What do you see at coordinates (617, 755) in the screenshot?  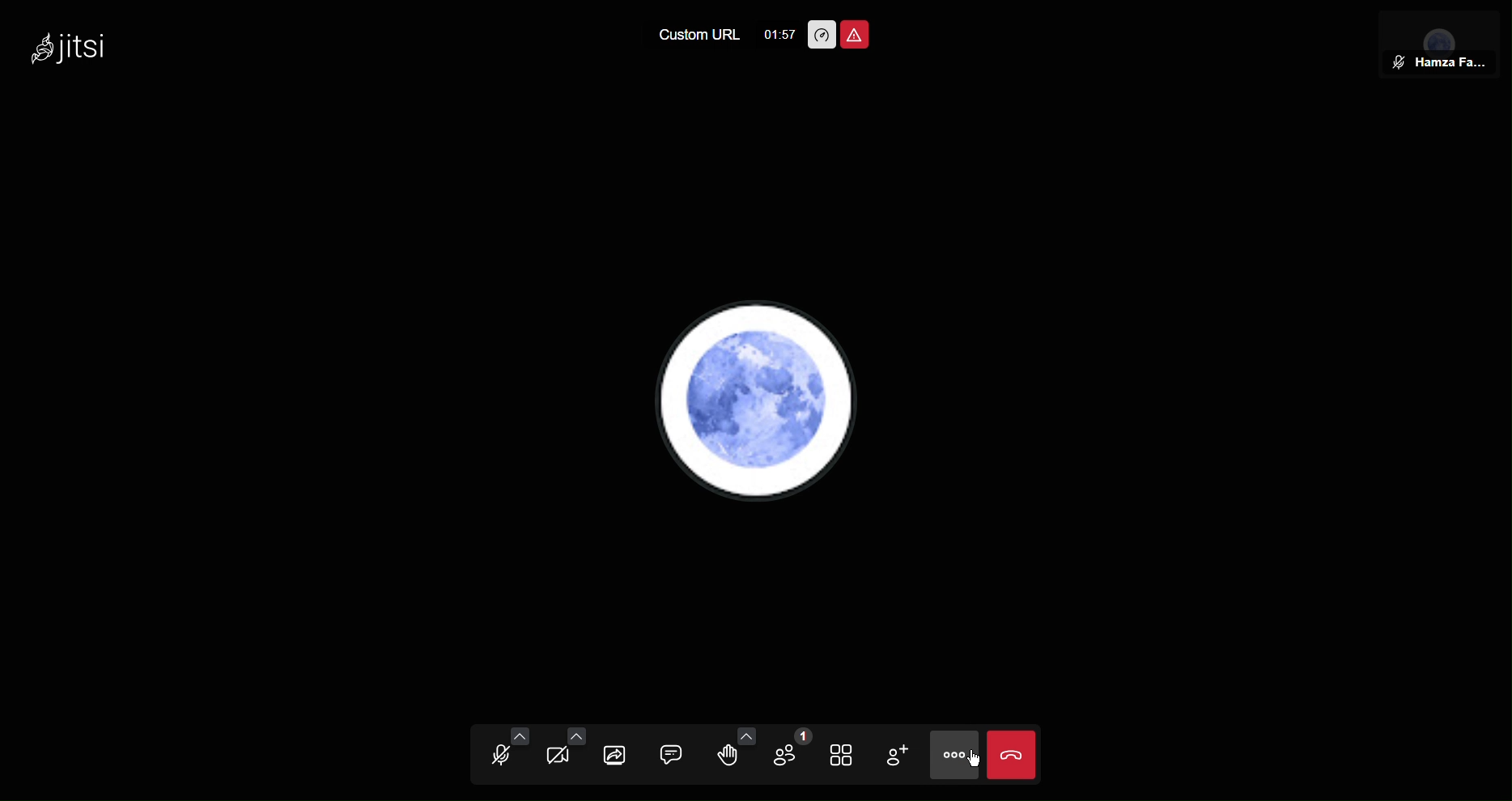 I see `Share Screen` at bounding box center [617, 755].